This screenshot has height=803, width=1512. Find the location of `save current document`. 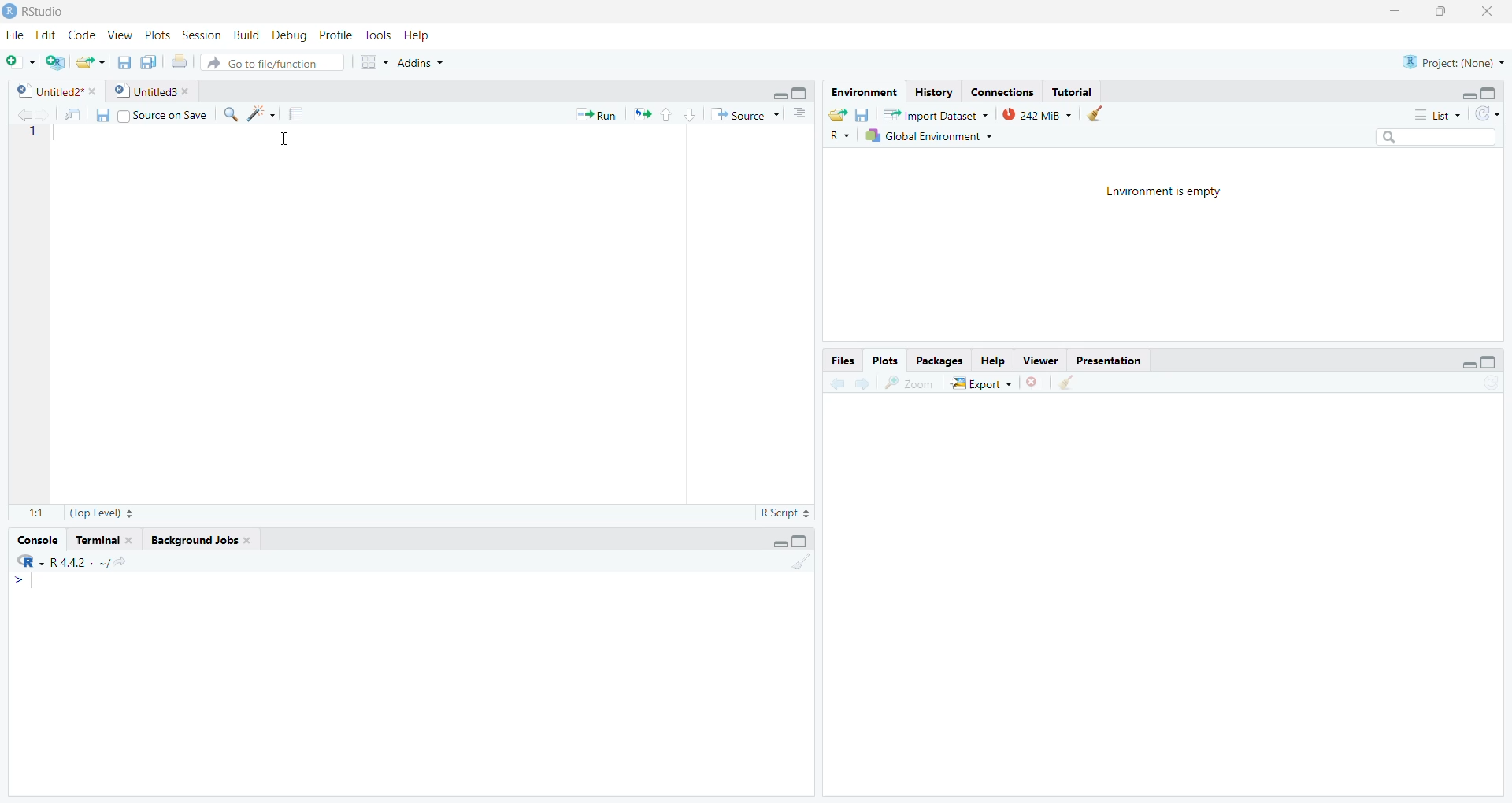

save current document is located at coordinates (122, 61).